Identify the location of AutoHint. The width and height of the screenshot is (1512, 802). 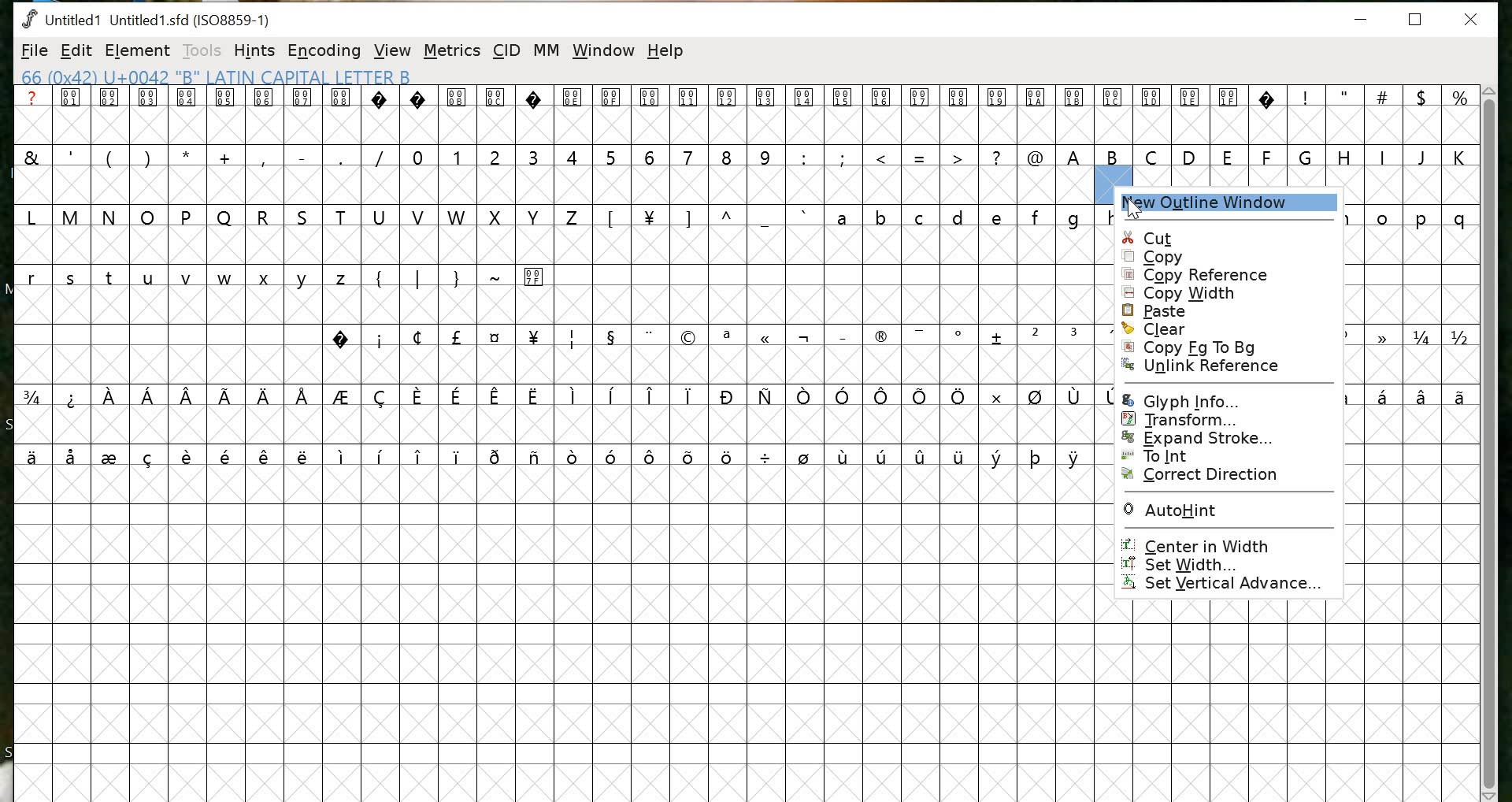
(1228, 509).